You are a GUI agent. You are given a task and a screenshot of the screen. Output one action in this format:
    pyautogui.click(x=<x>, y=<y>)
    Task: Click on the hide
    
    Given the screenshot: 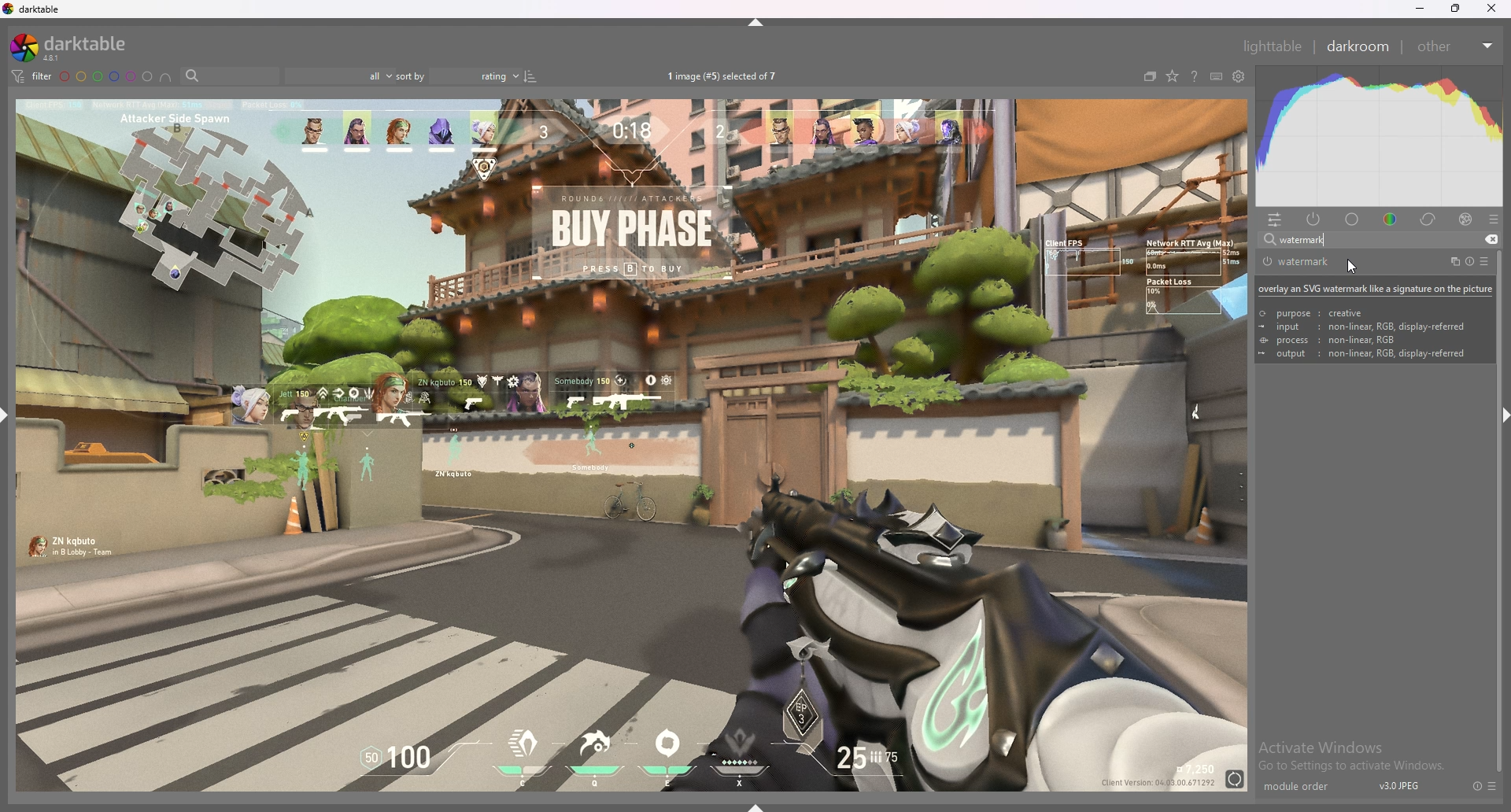 What is the action you would take?
    pyautogui.click(x=1497, y=413)
    